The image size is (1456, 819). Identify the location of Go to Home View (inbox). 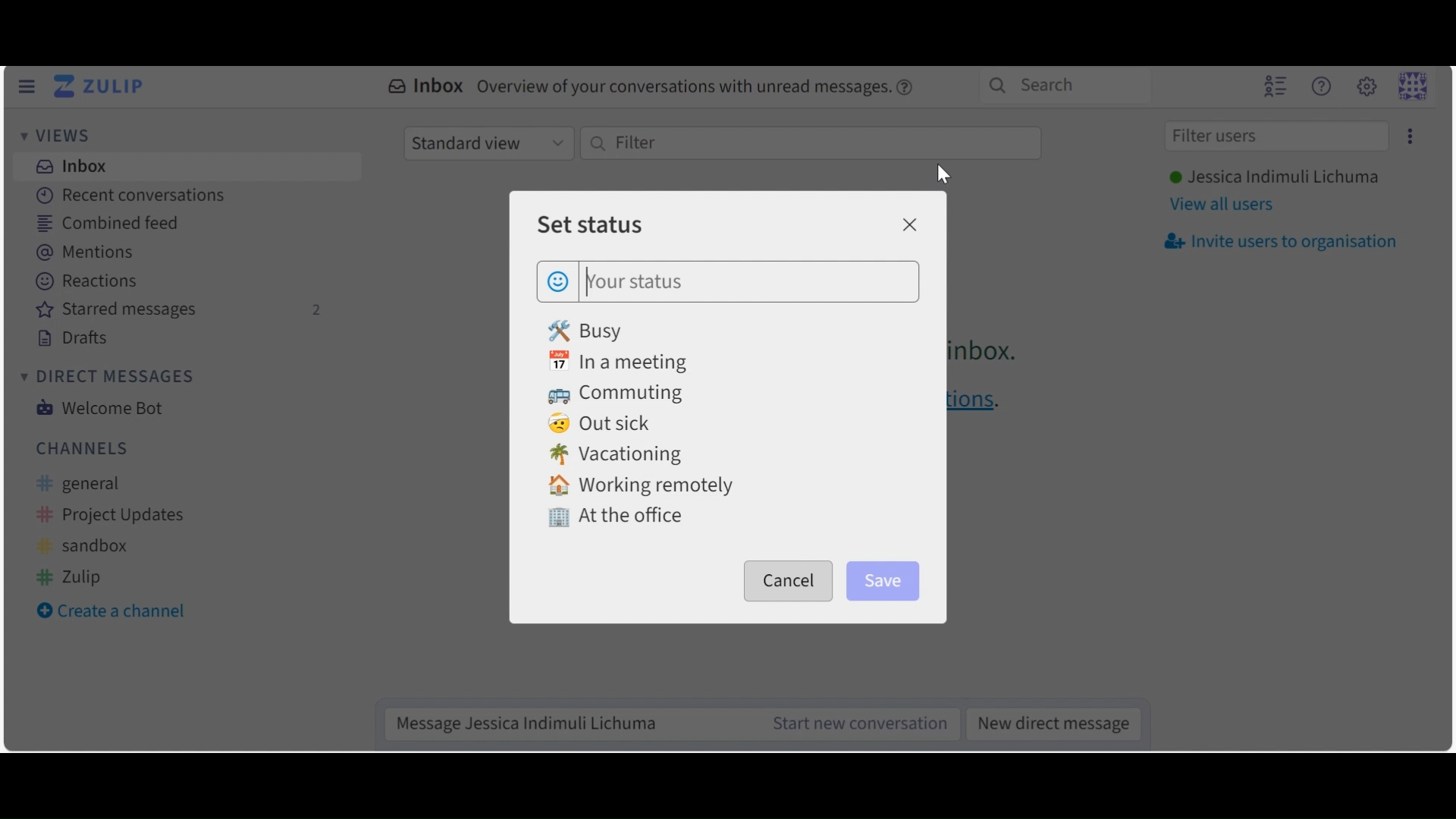
(102, 87).